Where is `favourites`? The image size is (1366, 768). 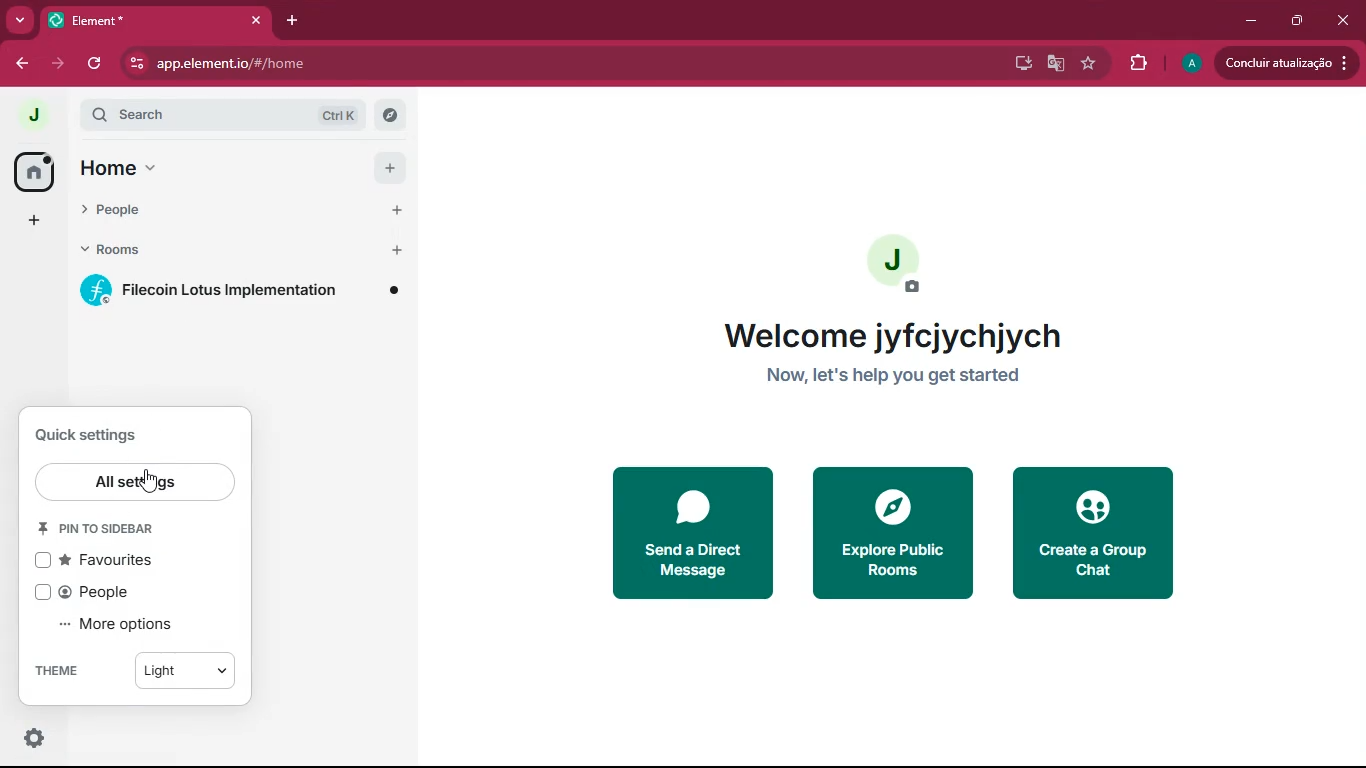
favourites is located at coordinates (109, 561).